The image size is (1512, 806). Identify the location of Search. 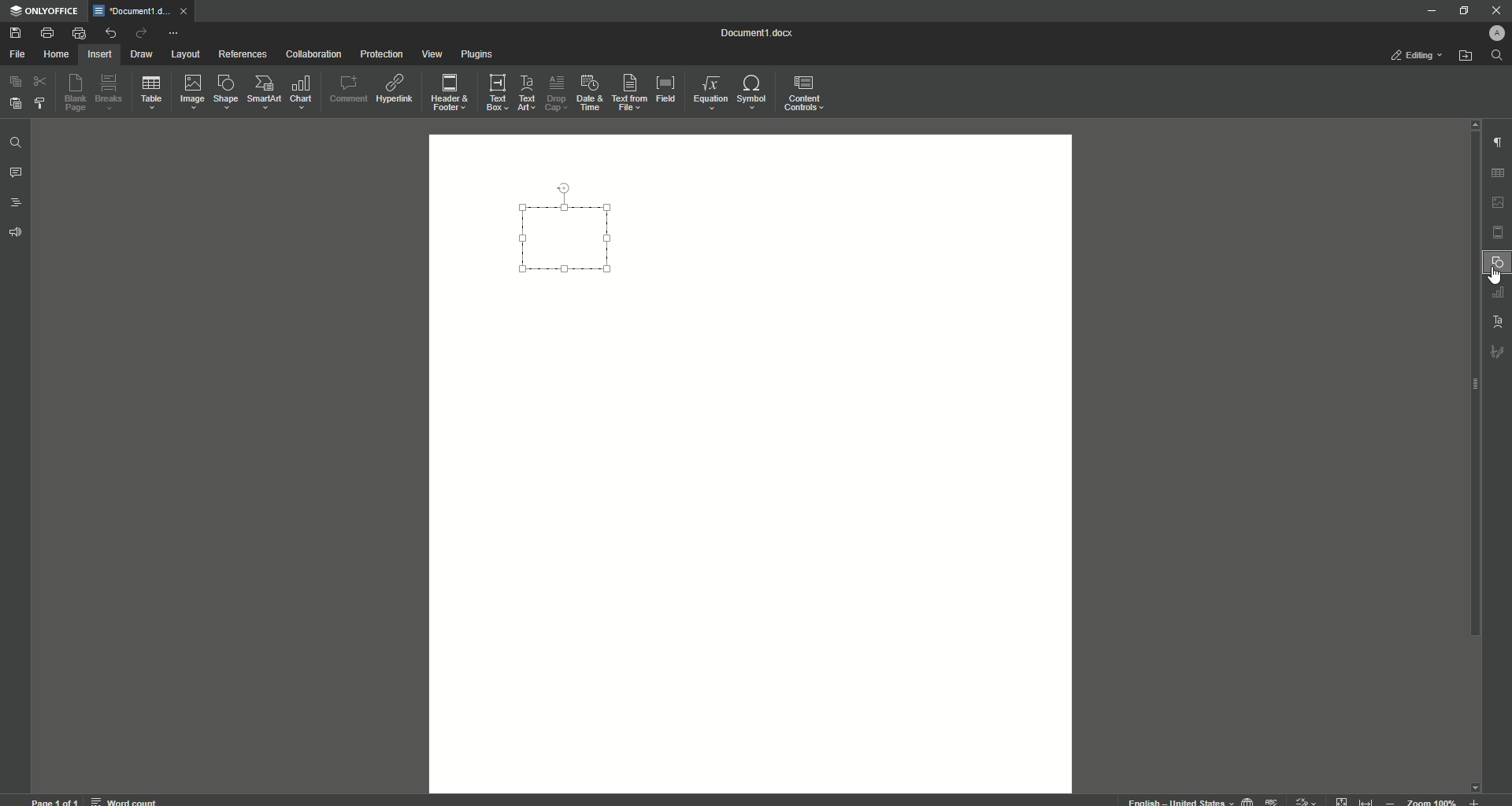
(1497, 56).